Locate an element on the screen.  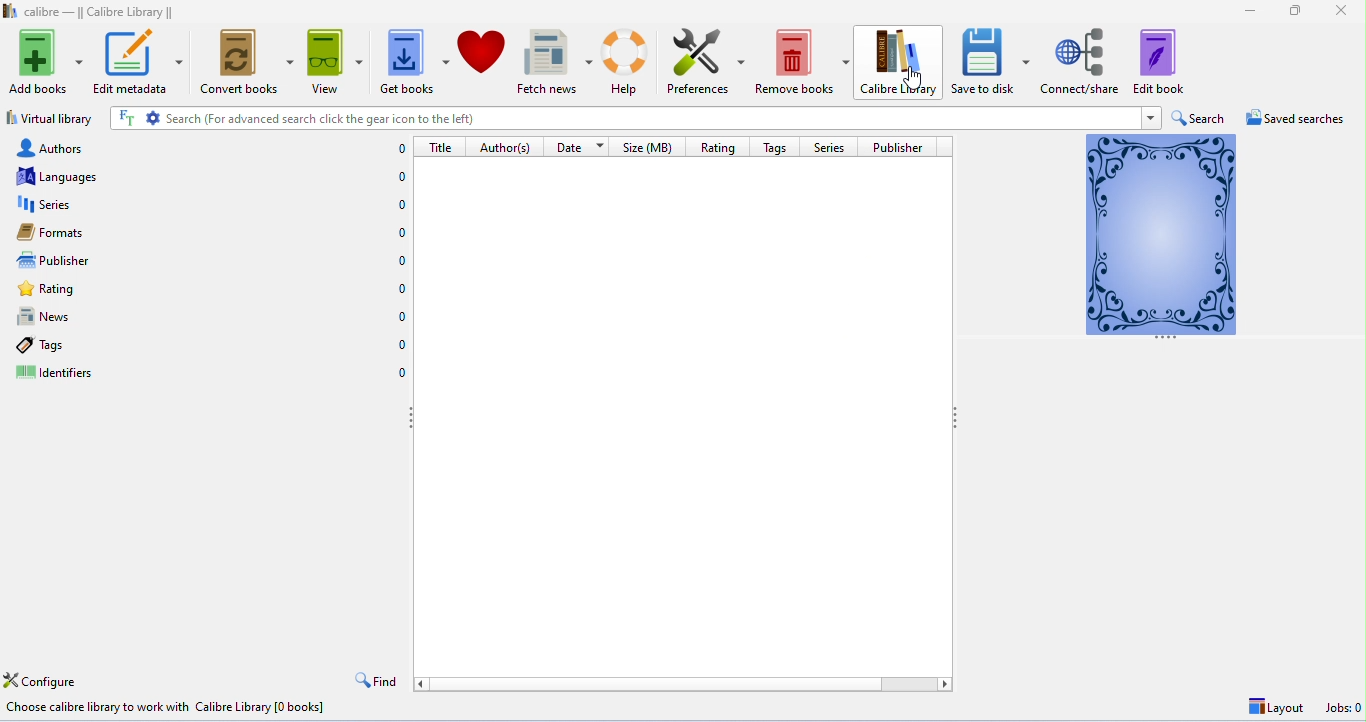
maximize is located at coordinates (1295, 11).